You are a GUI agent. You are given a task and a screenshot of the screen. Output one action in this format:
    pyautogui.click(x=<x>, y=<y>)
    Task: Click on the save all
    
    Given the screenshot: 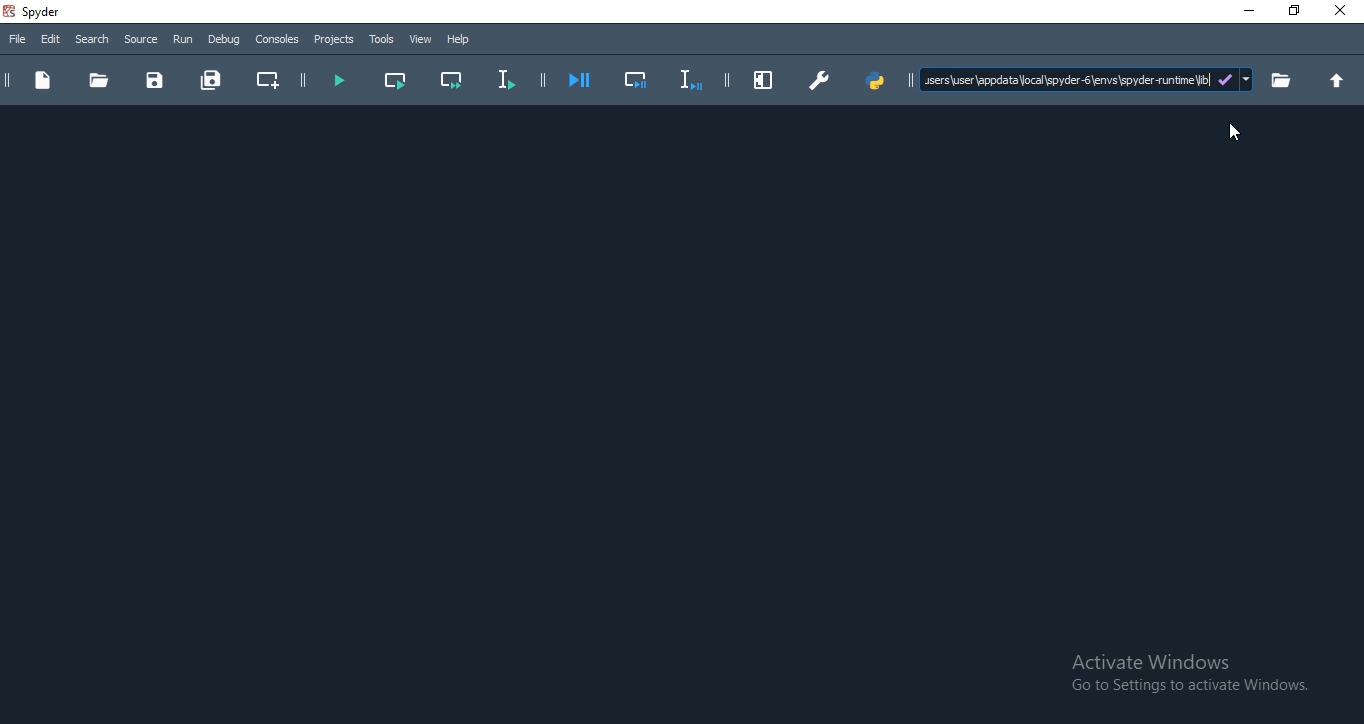 What is the action you would take?
    pyautogui.click(x=210, y=77)
    